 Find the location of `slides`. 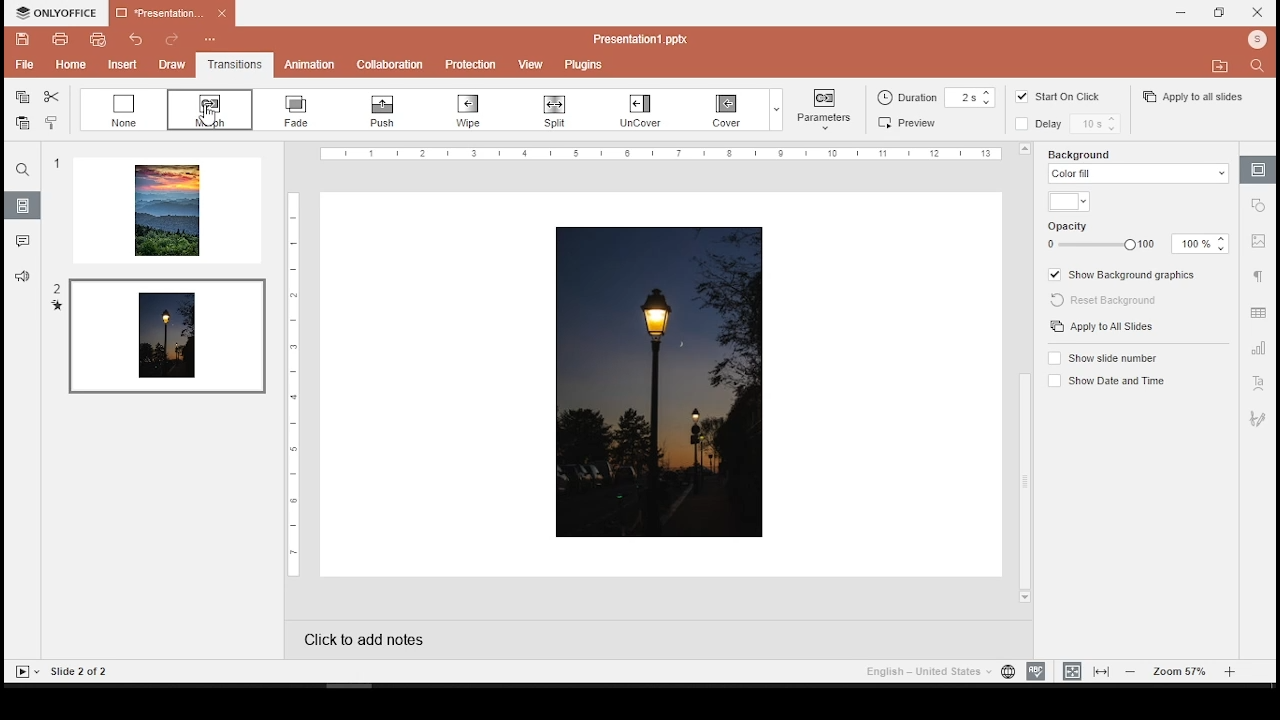

slides is located at coordinates (23, 206).